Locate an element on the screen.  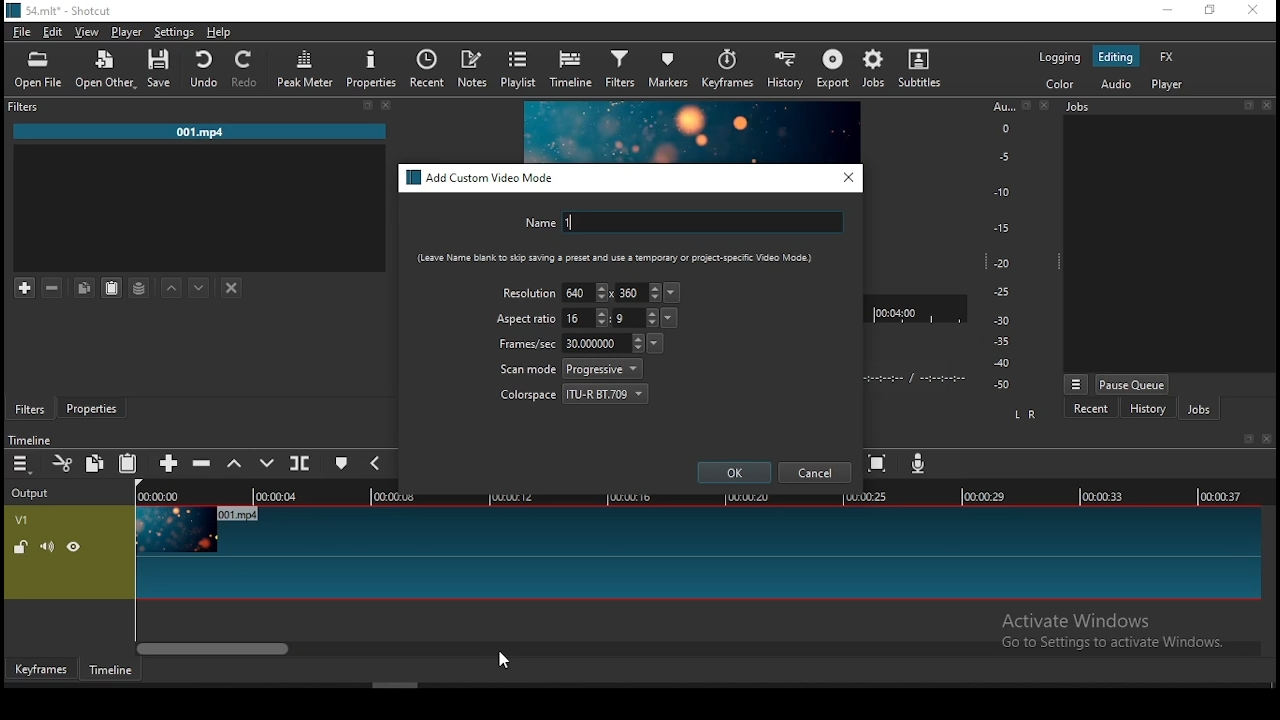
frames per second presets is located at coordinates (654, 342).